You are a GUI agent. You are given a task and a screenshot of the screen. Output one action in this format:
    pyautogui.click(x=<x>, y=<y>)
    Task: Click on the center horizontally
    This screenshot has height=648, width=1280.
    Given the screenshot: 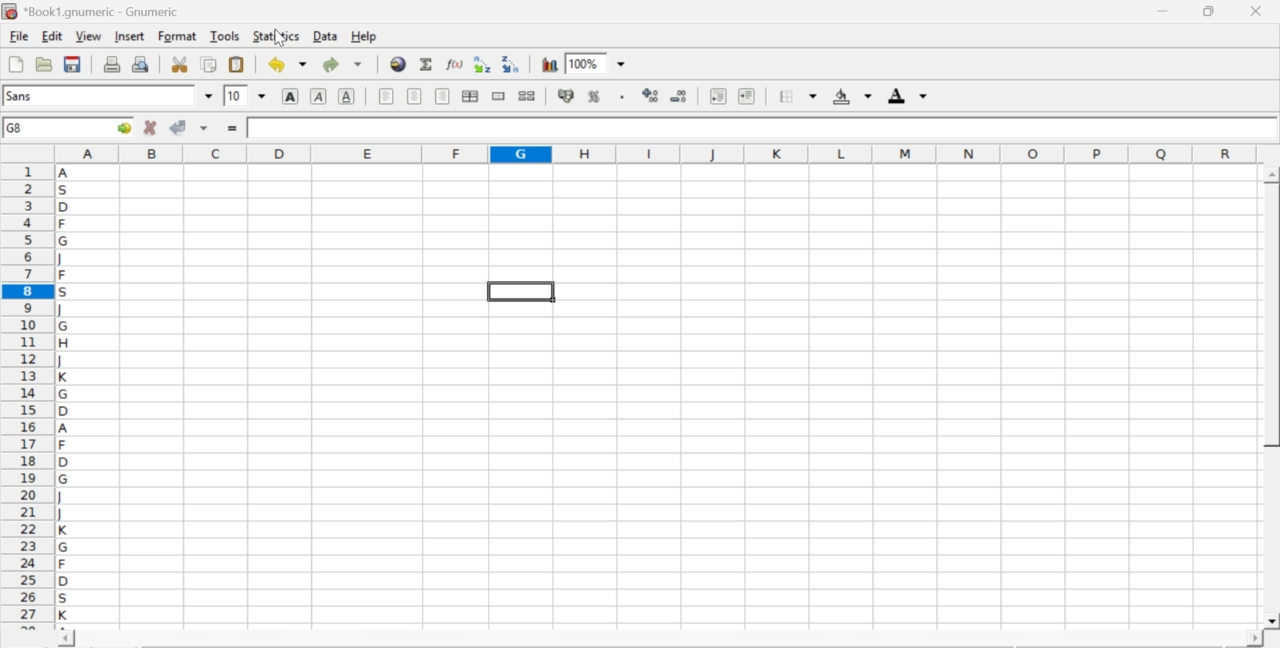 What is the action you would take?
    pyautogui.click(x=470, y=96)
    